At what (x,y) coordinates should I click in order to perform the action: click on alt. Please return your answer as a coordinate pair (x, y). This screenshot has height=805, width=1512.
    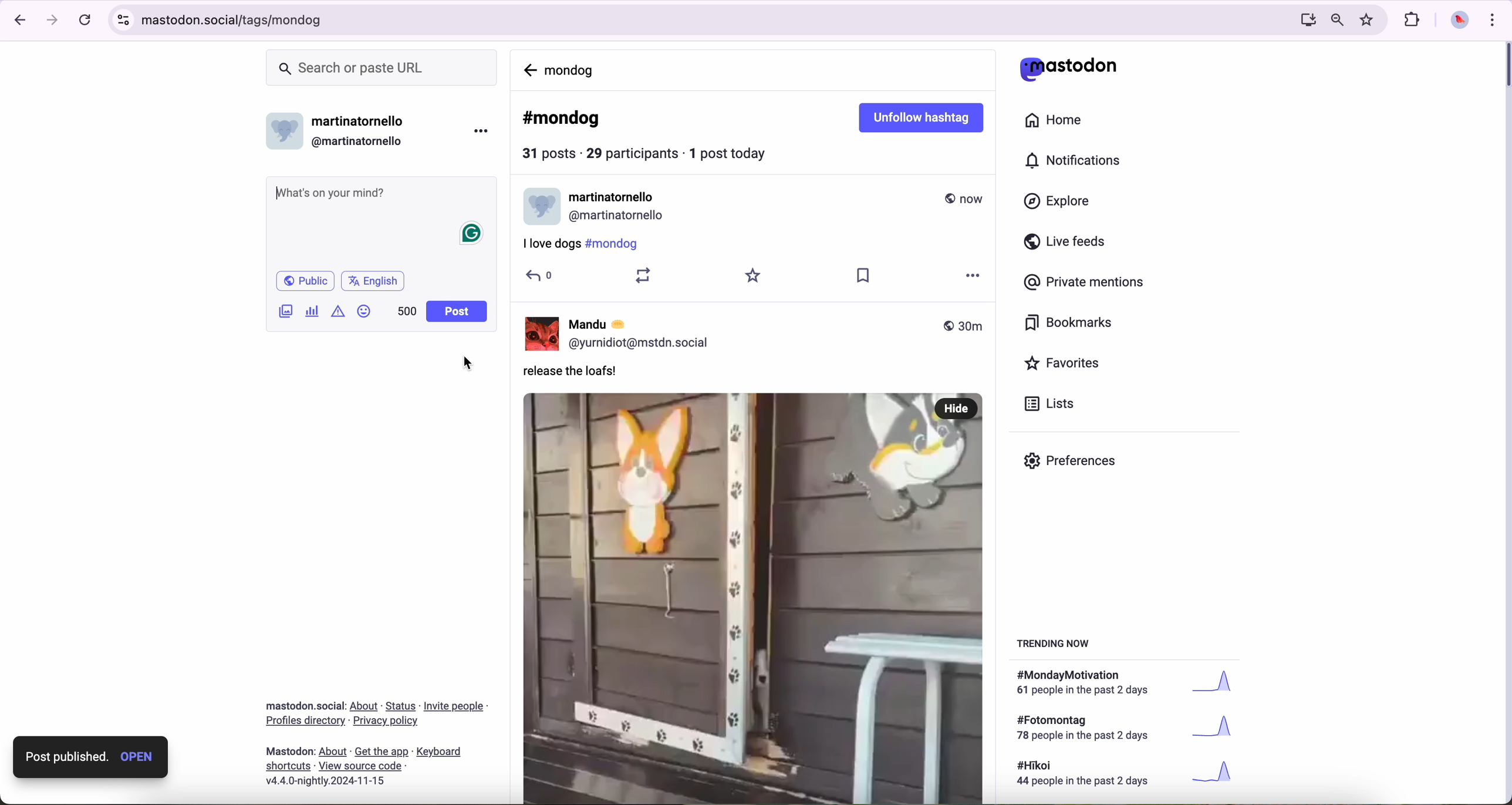
    Looking at the image, I should click on (933, 705).